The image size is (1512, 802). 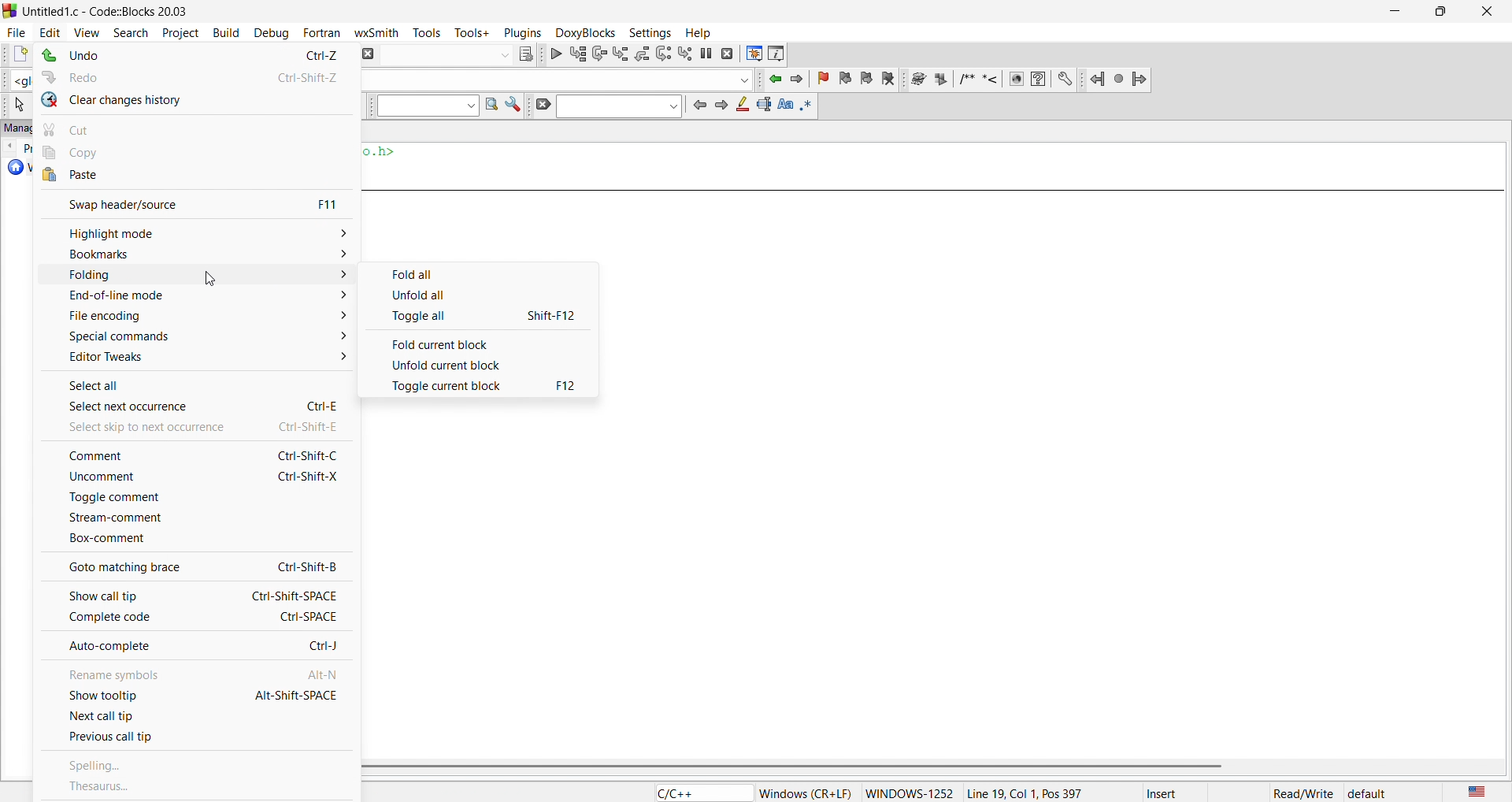 I want to click on stop, so click(x=1120, y=78).